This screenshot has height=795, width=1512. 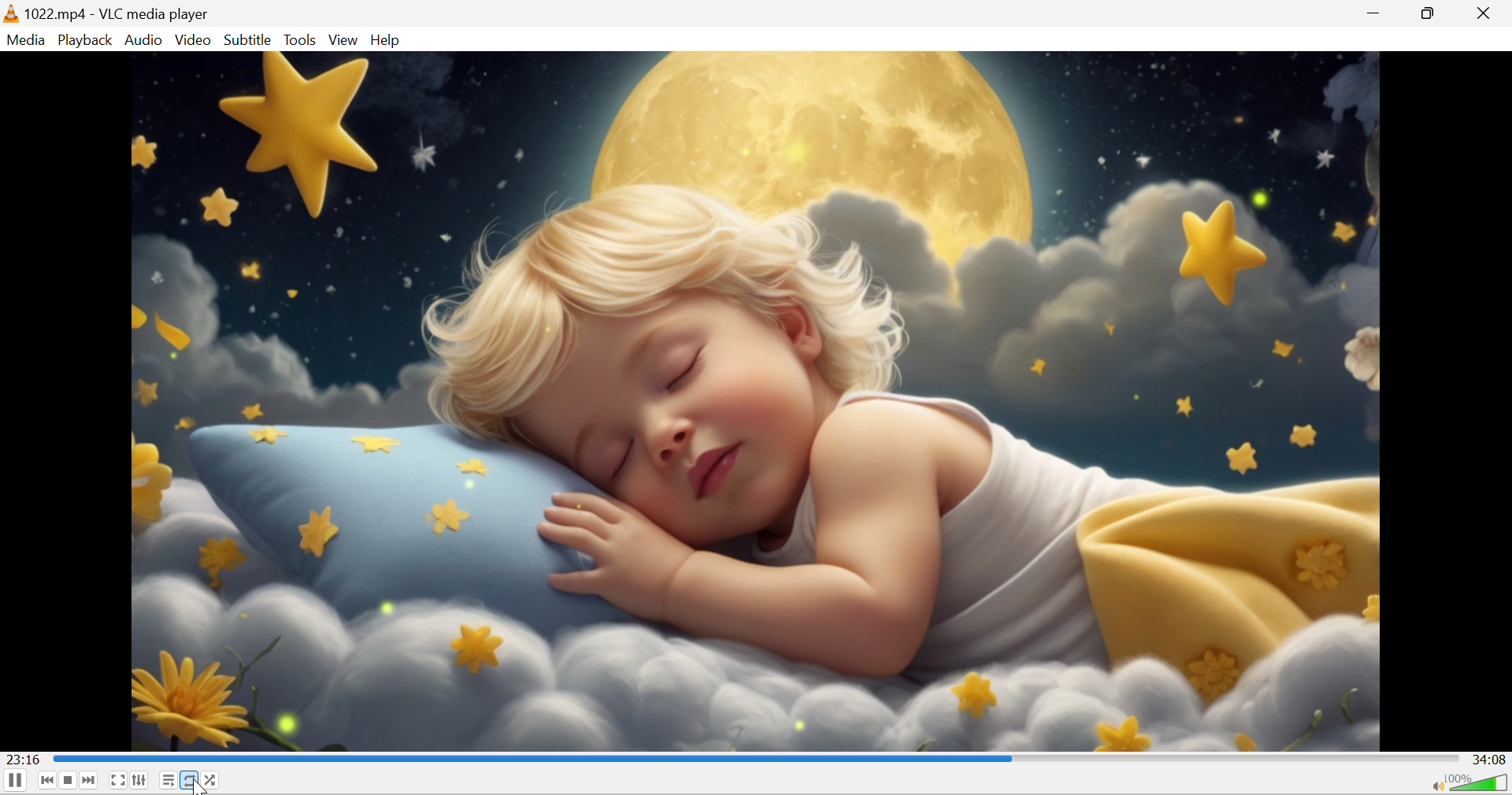 I want to click on Next media in the playlist, skip forward when held, so click(x=89, y=780).